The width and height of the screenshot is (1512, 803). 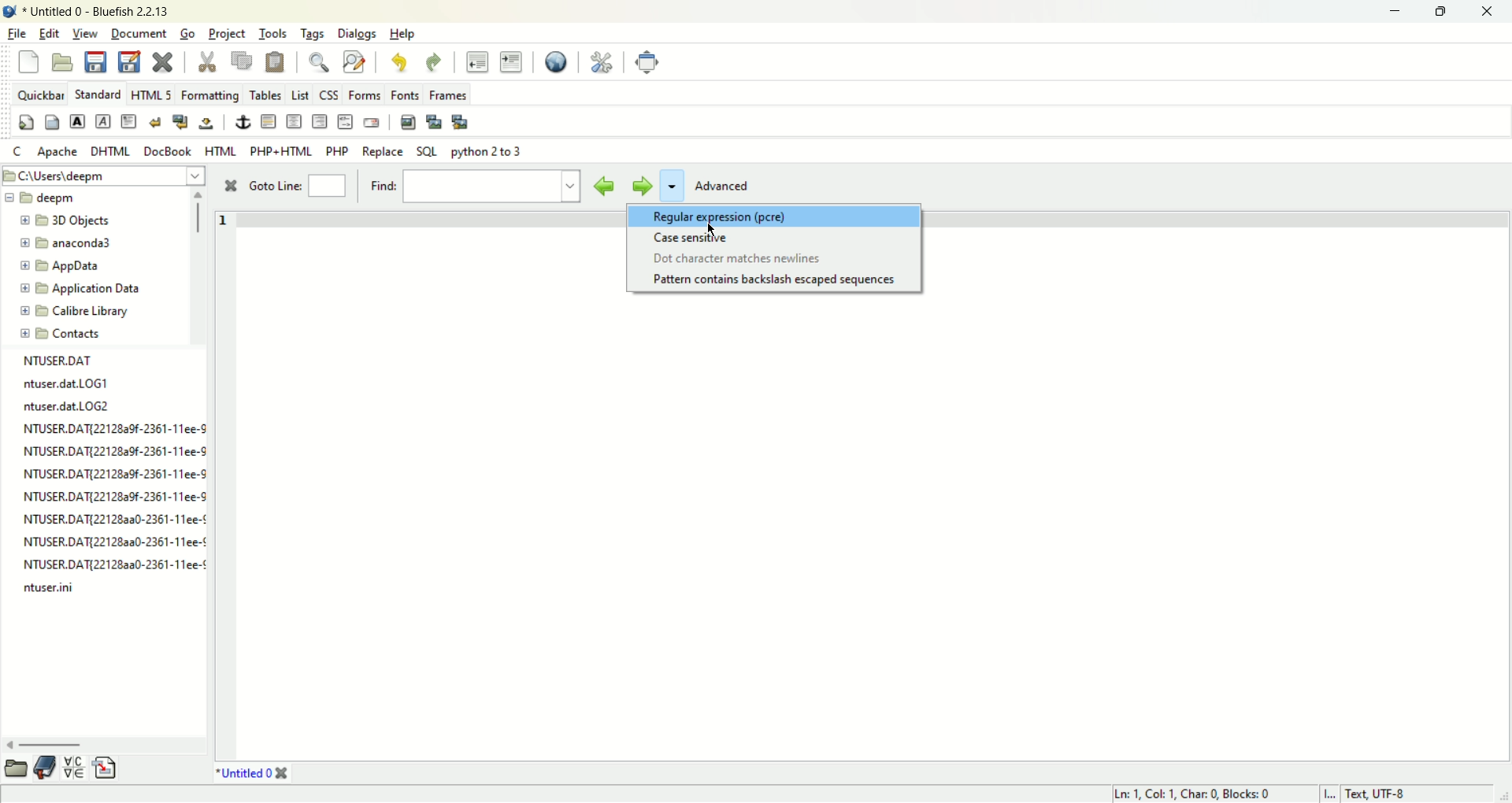 I want to click on fonts, so click(x=406, y=93).